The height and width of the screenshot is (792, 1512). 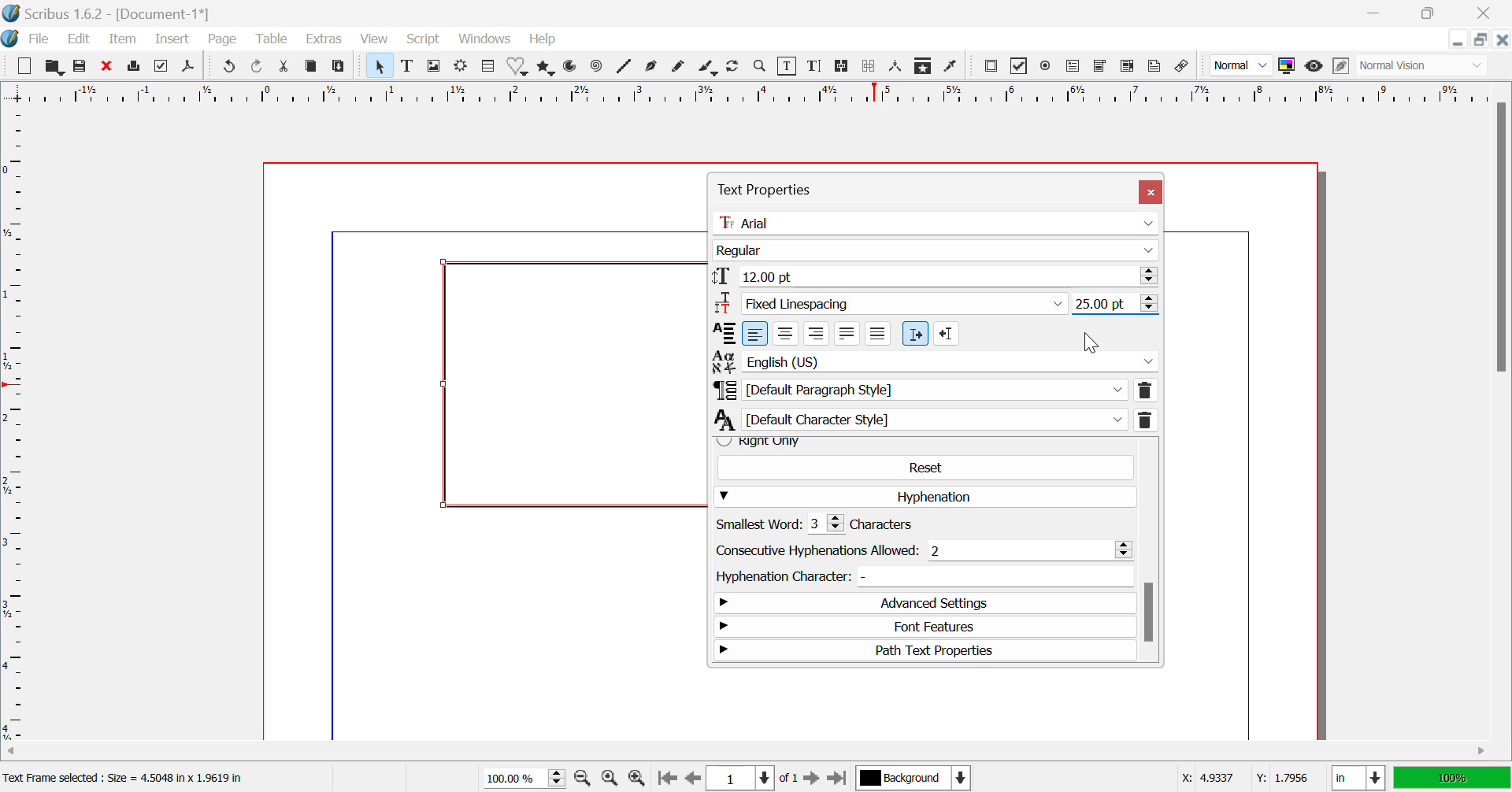 What do you see at coordinates (839, 68) in the screenshot?
I see `Link Text Frames` at bounding box center [839, 68].